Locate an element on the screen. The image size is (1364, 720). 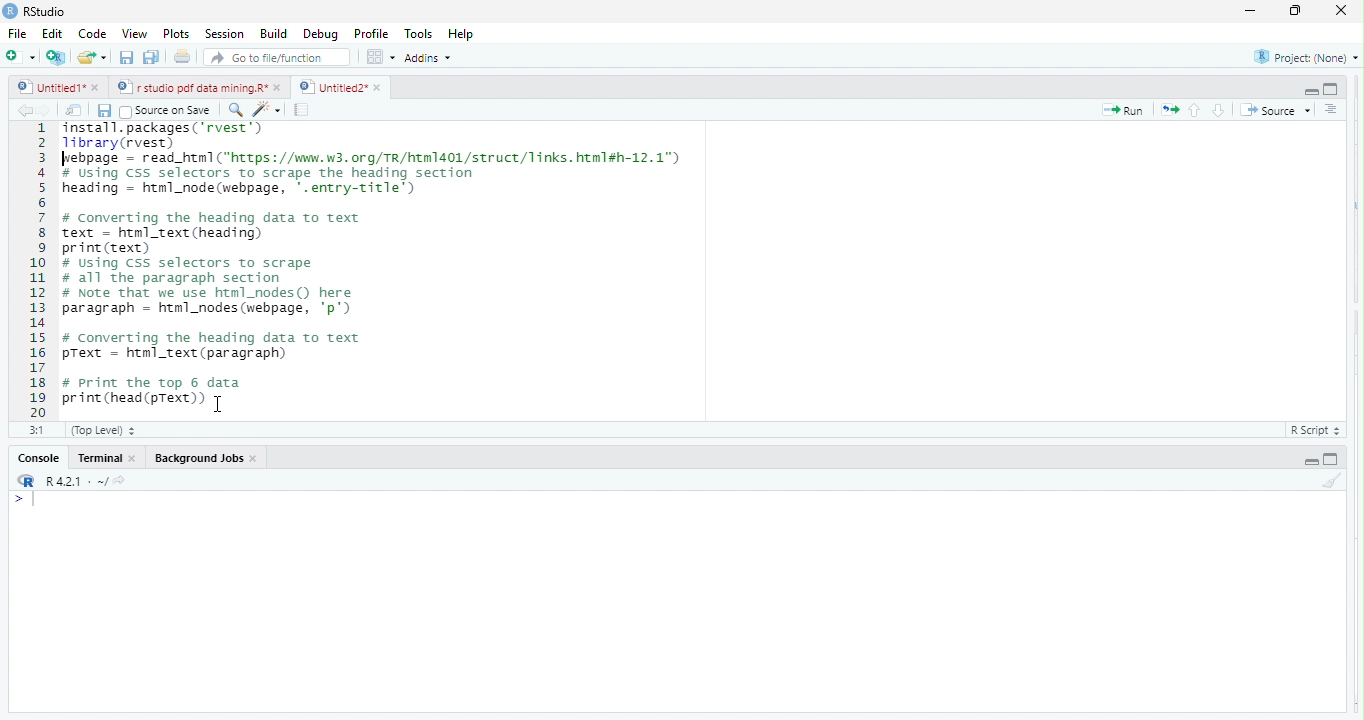
typing cursor is located at coordinates (29, 501).